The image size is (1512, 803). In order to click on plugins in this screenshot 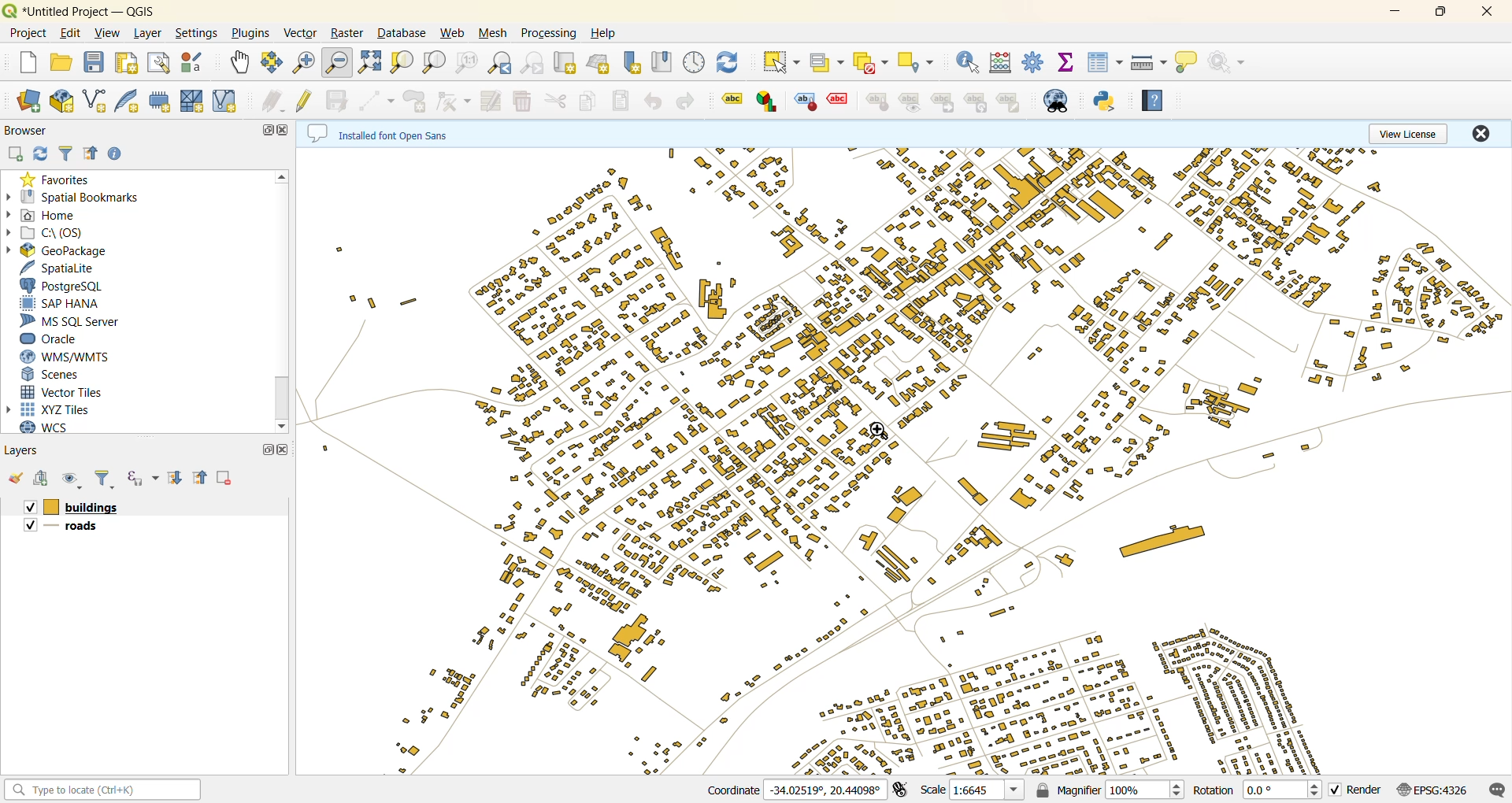, I will do `click(254, 35)`.